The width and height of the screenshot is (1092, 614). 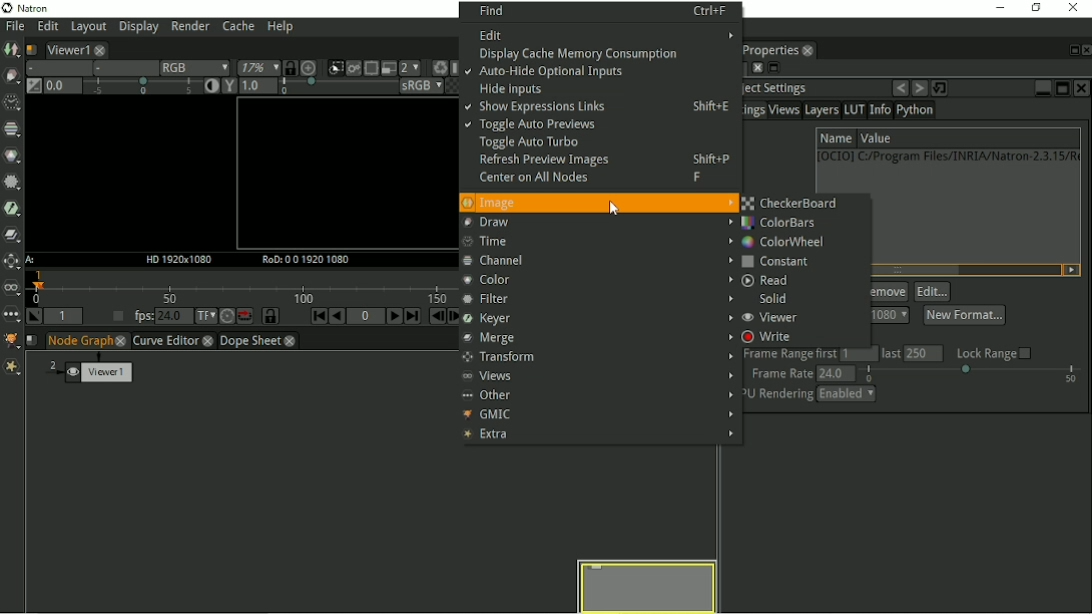 I want to click on Views, so click(x=598, y=376).